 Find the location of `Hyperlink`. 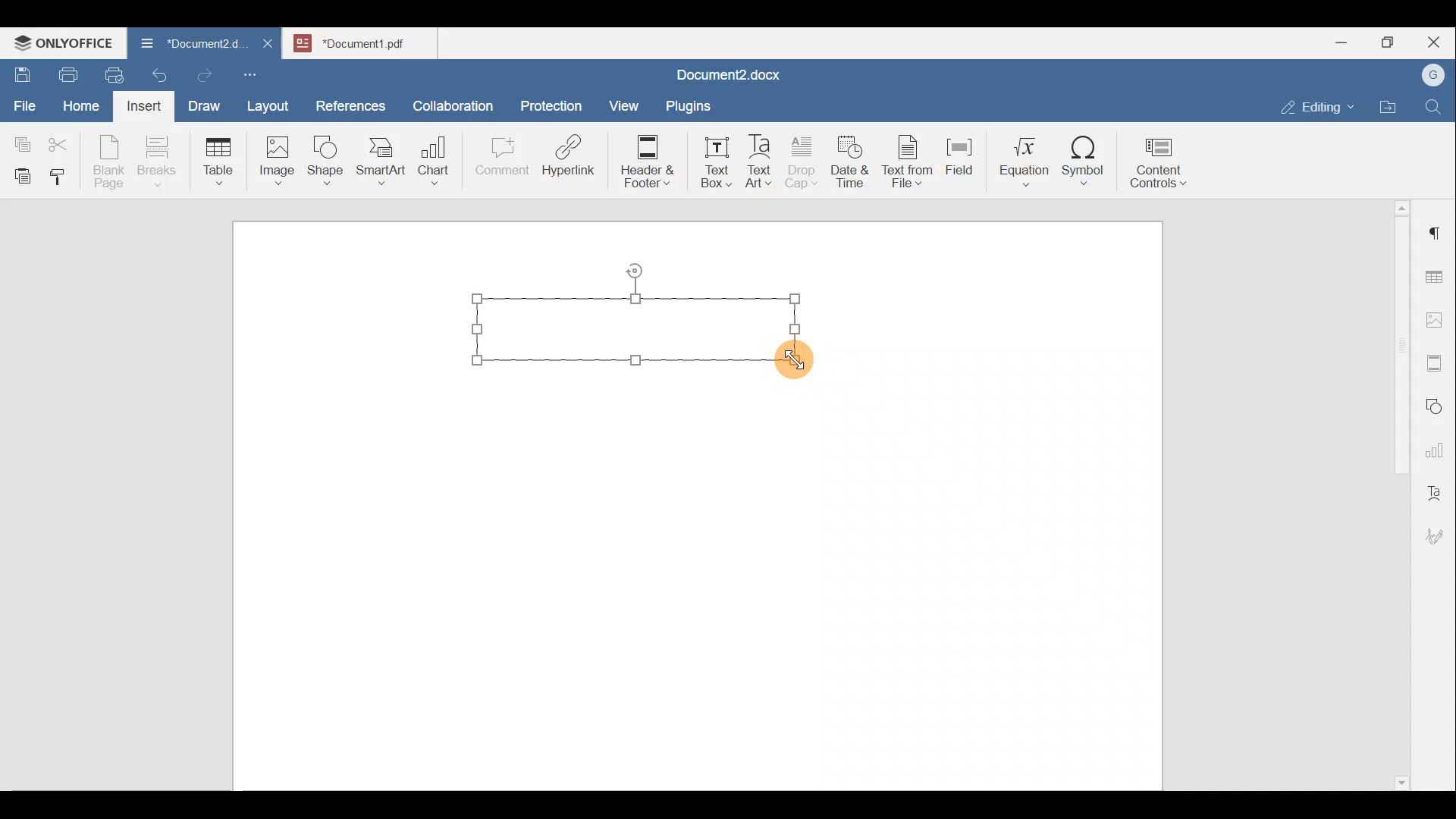

Hyperlink is located at coordinates (573, 160).